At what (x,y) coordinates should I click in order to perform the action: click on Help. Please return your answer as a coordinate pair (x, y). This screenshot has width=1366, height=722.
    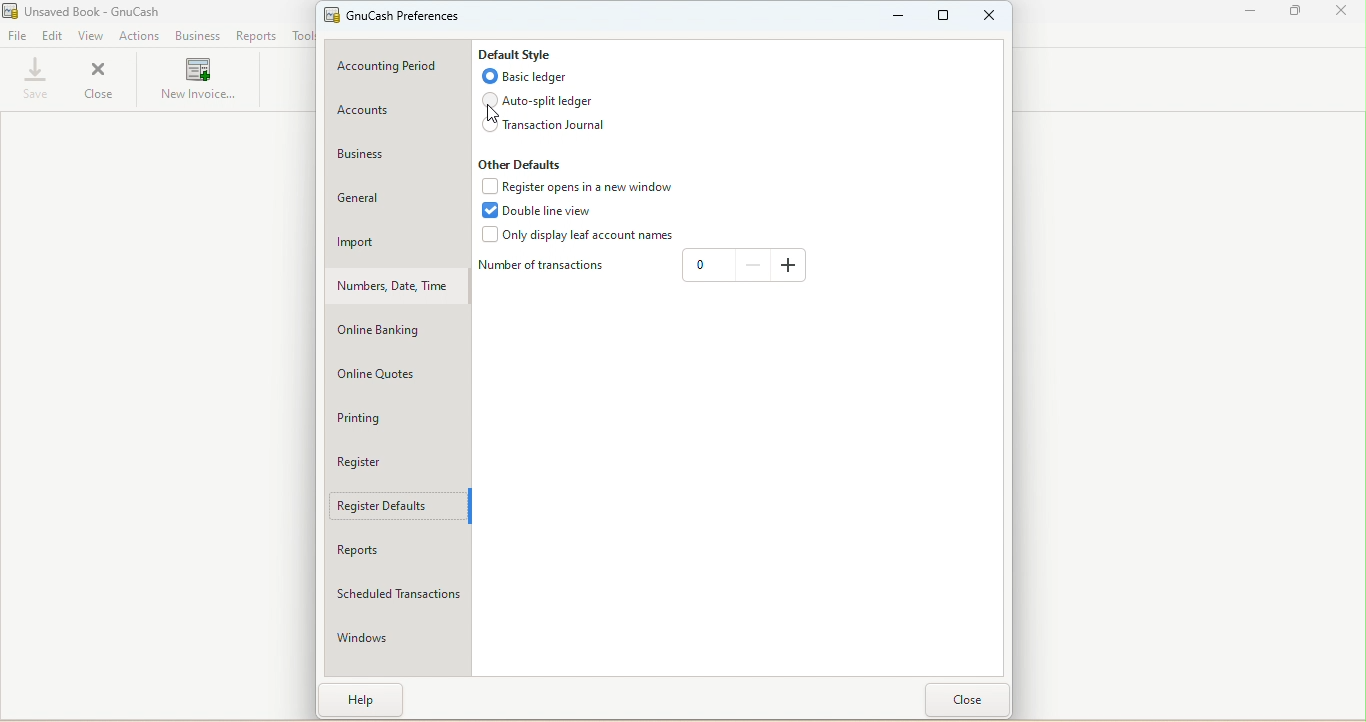
    Looking at the image, I should click on (365, 701).